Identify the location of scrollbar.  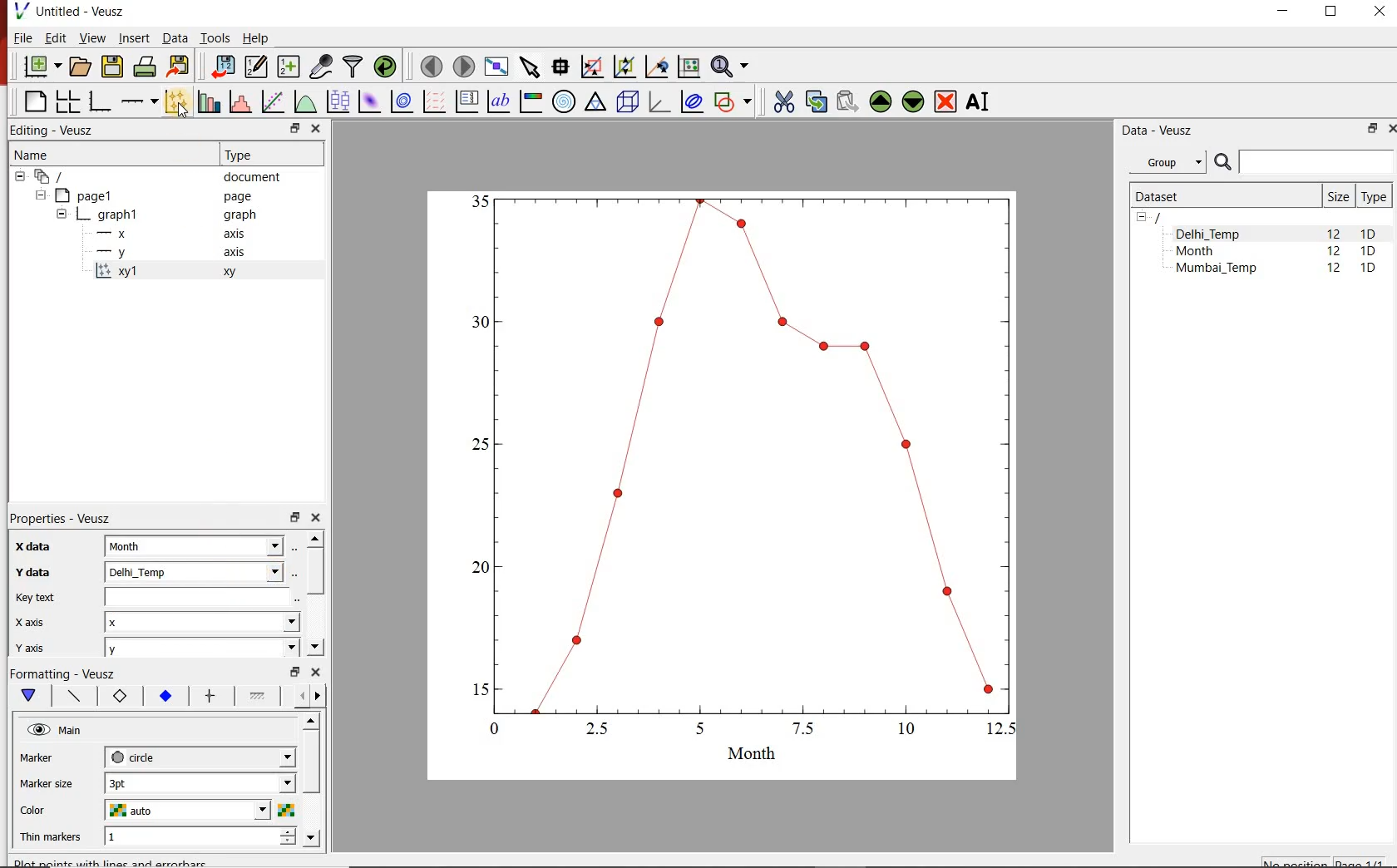
(314, 594).